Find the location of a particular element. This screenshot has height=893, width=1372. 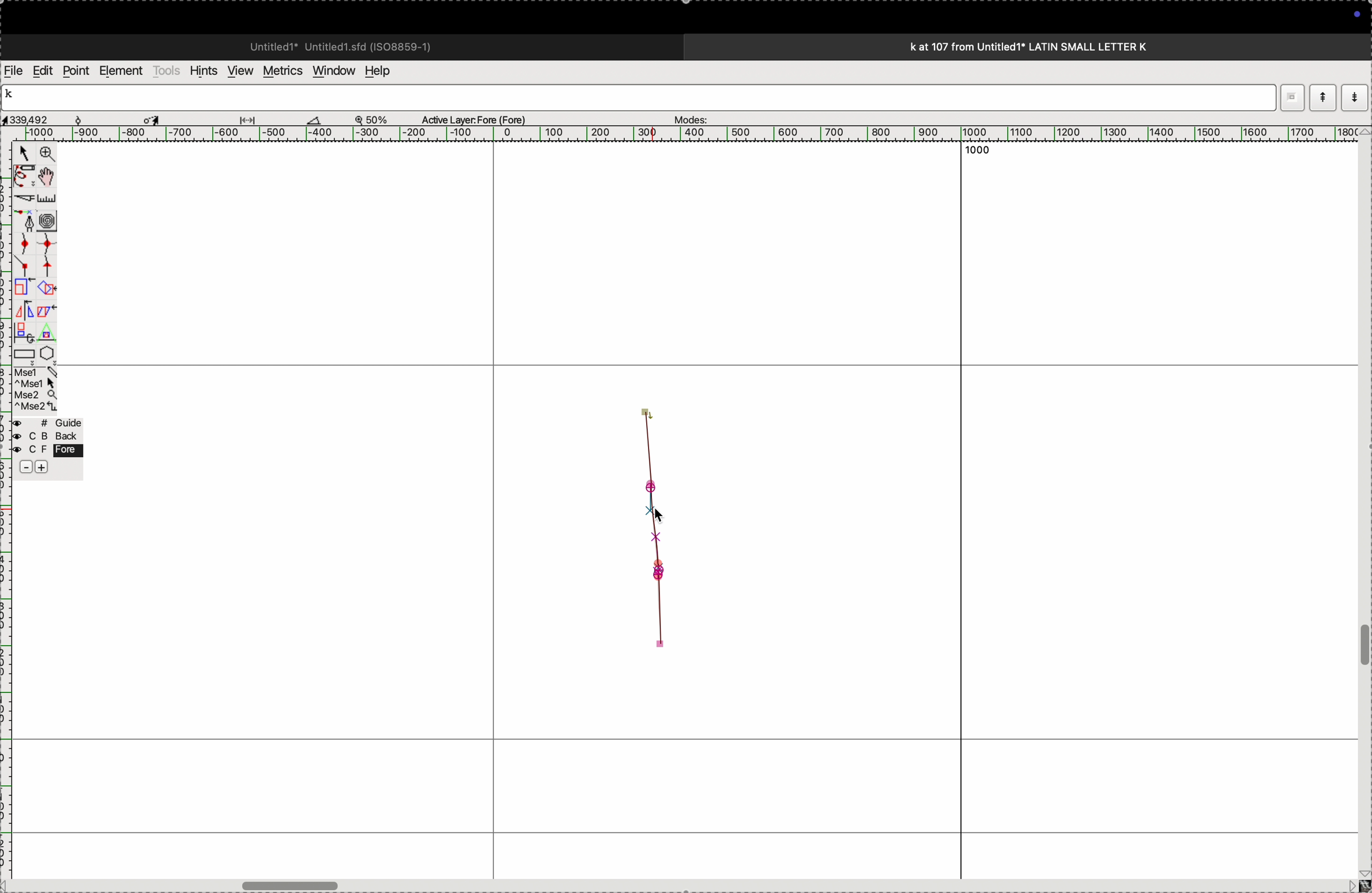

rectangle is located at coordinates (21, 352).